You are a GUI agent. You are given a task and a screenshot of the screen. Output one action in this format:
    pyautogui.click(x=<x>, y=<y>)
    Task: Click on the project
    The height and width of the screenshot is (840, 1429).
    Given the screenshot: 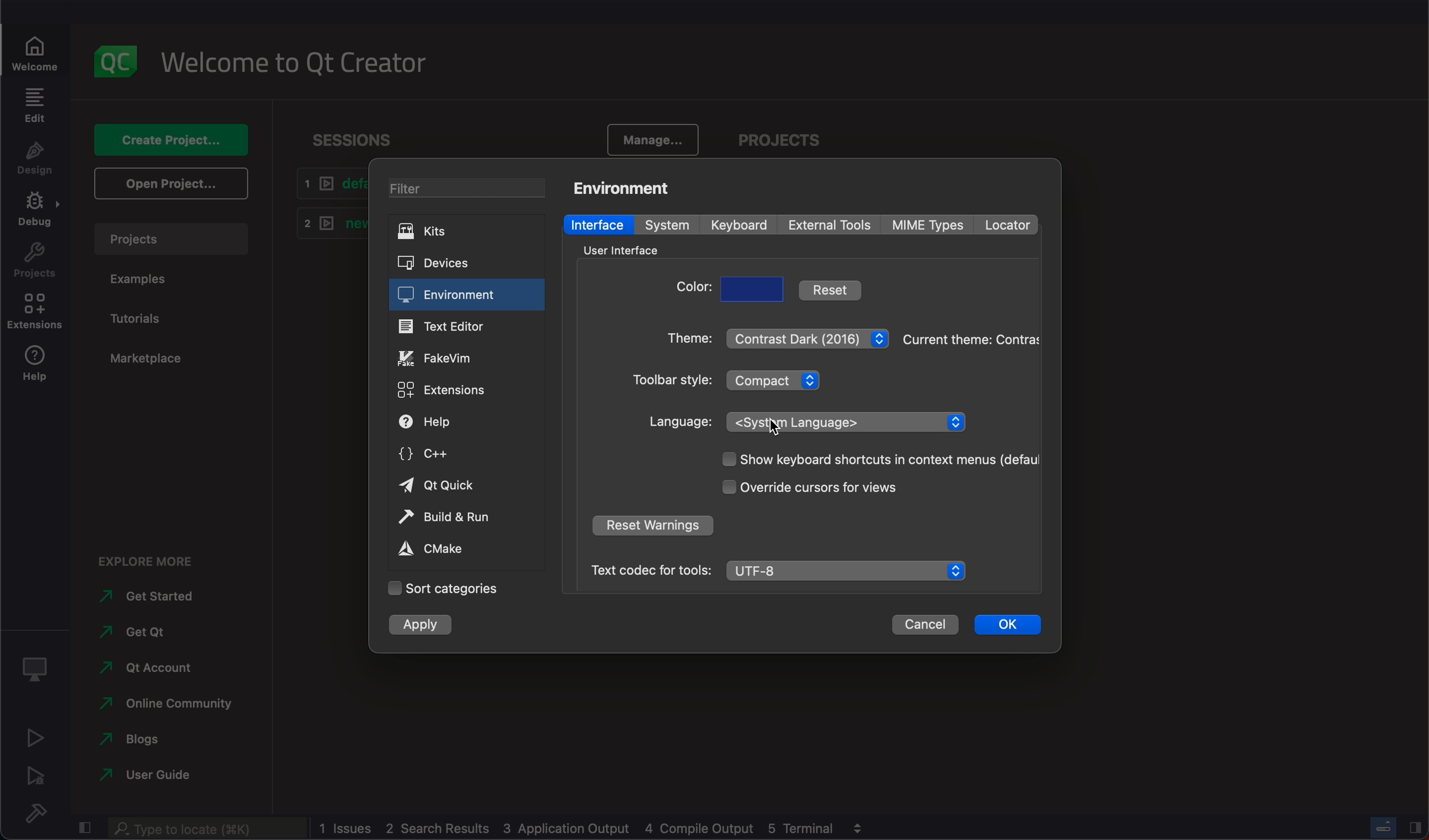 What is the action you would take?
    pyautogui.click(x=777, y=141)
    